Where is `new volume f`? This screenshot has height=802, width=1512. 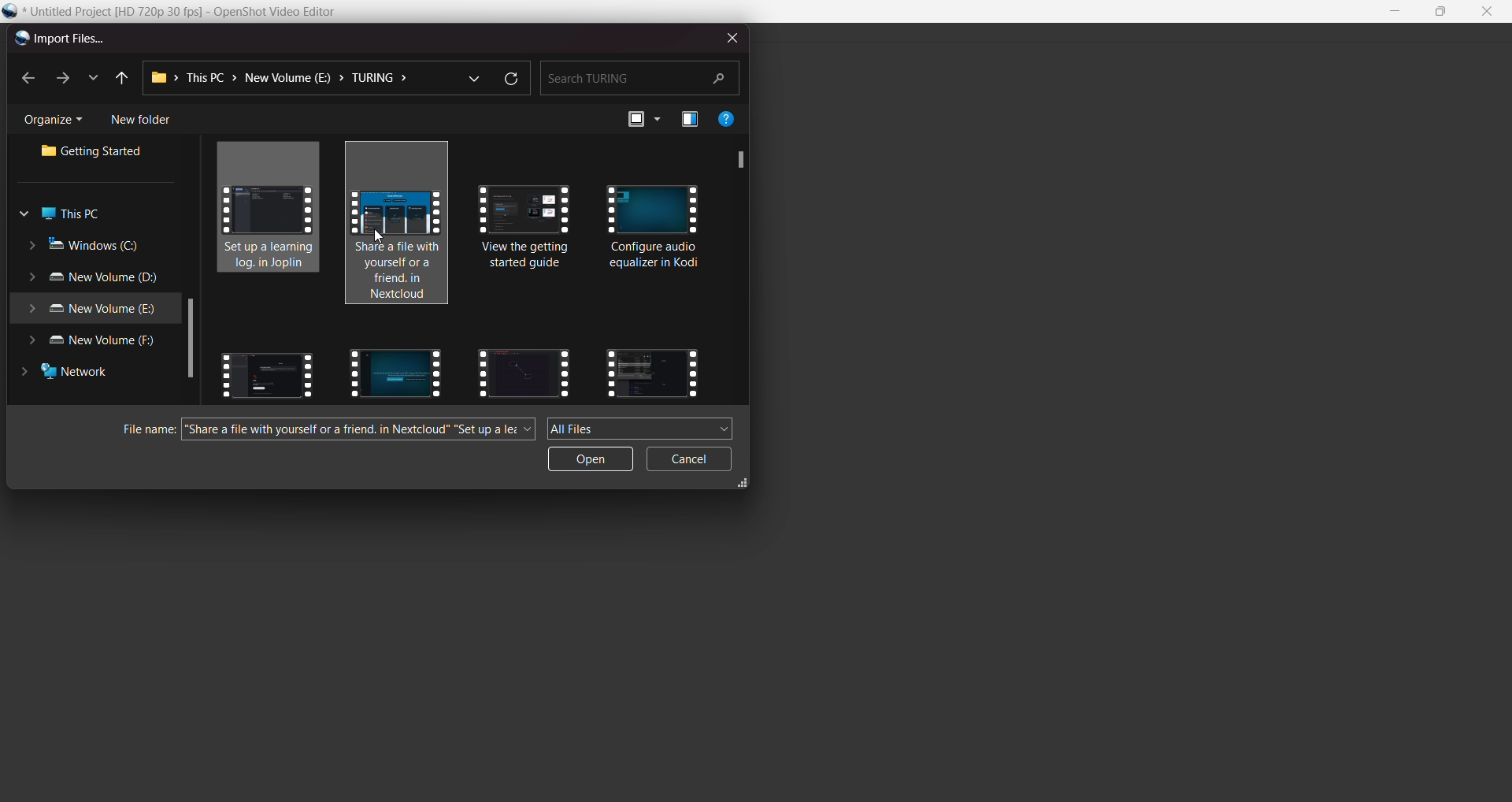
new volume f is located at coordinates (98, 343).